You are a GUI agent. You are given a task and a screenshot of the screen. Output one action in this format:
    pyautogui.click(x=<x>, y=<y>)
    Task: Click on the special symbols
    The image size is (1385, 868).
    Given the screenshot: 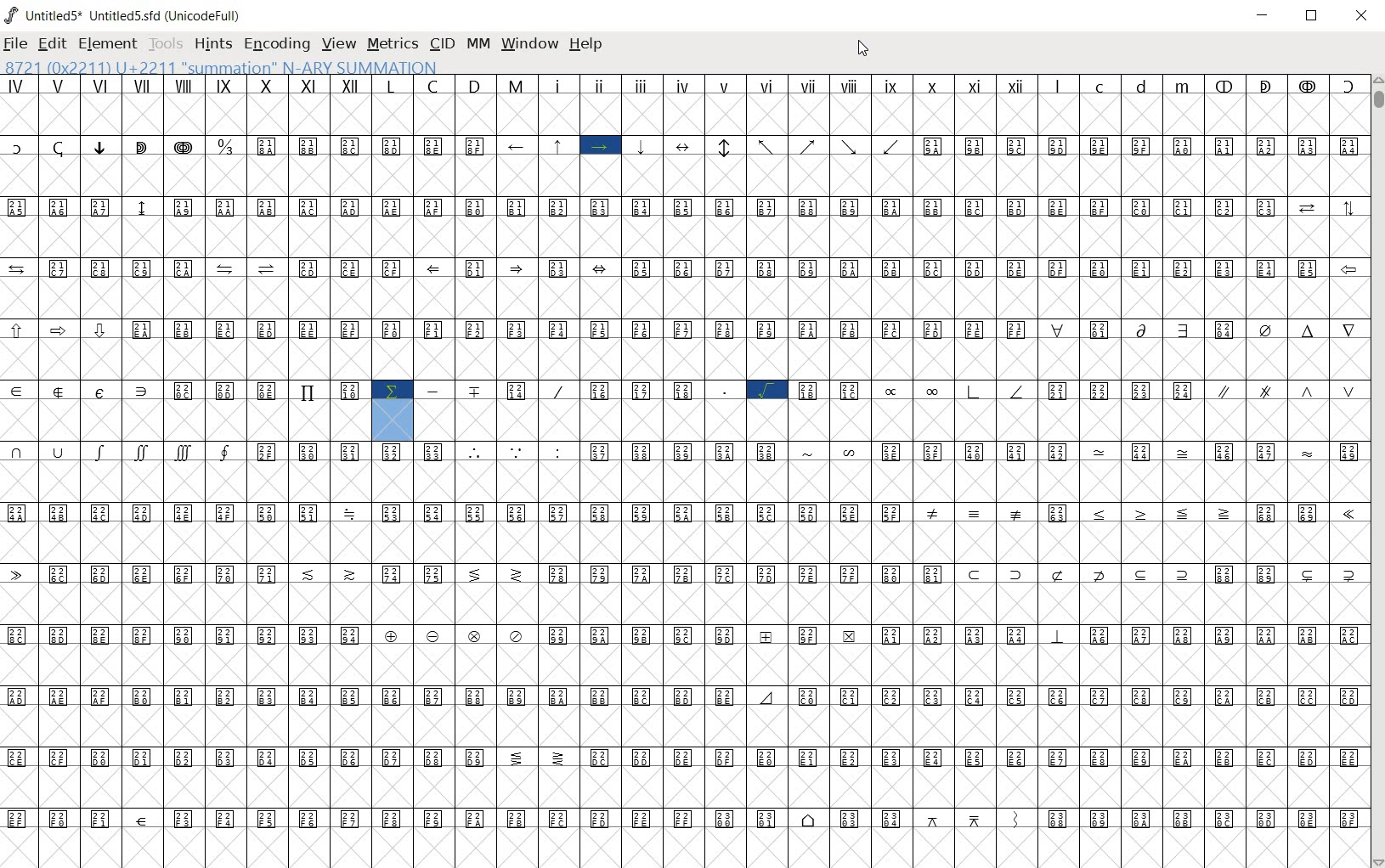 What is the action you would take?
    pyautogui.click(x=1288, y=82)
    